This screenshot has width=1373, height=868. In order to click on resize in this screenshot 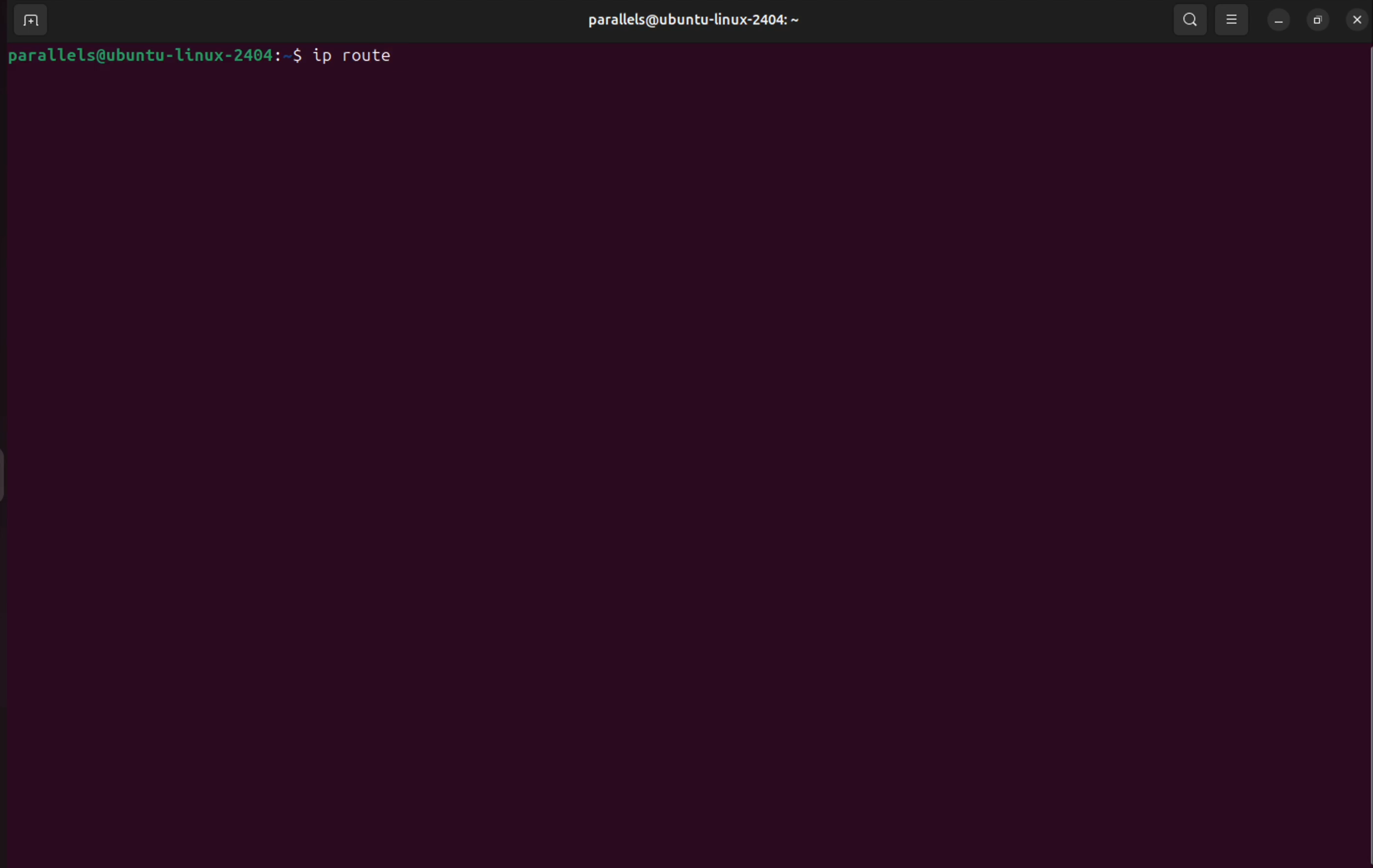, I will do `click(1318, 19)`.